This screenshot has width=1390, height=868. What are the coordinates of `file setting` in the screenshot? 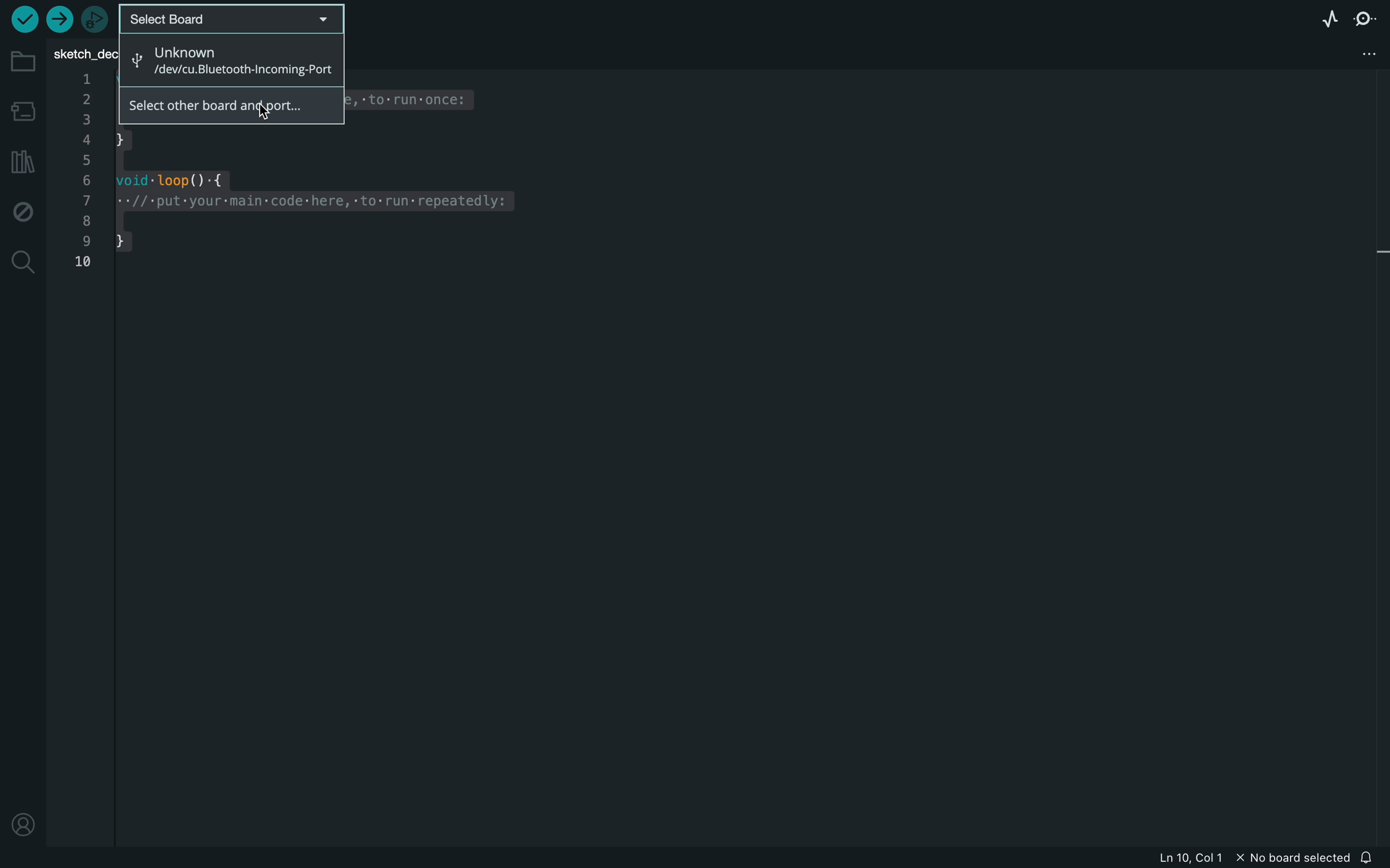 It's located at (1357, 54).